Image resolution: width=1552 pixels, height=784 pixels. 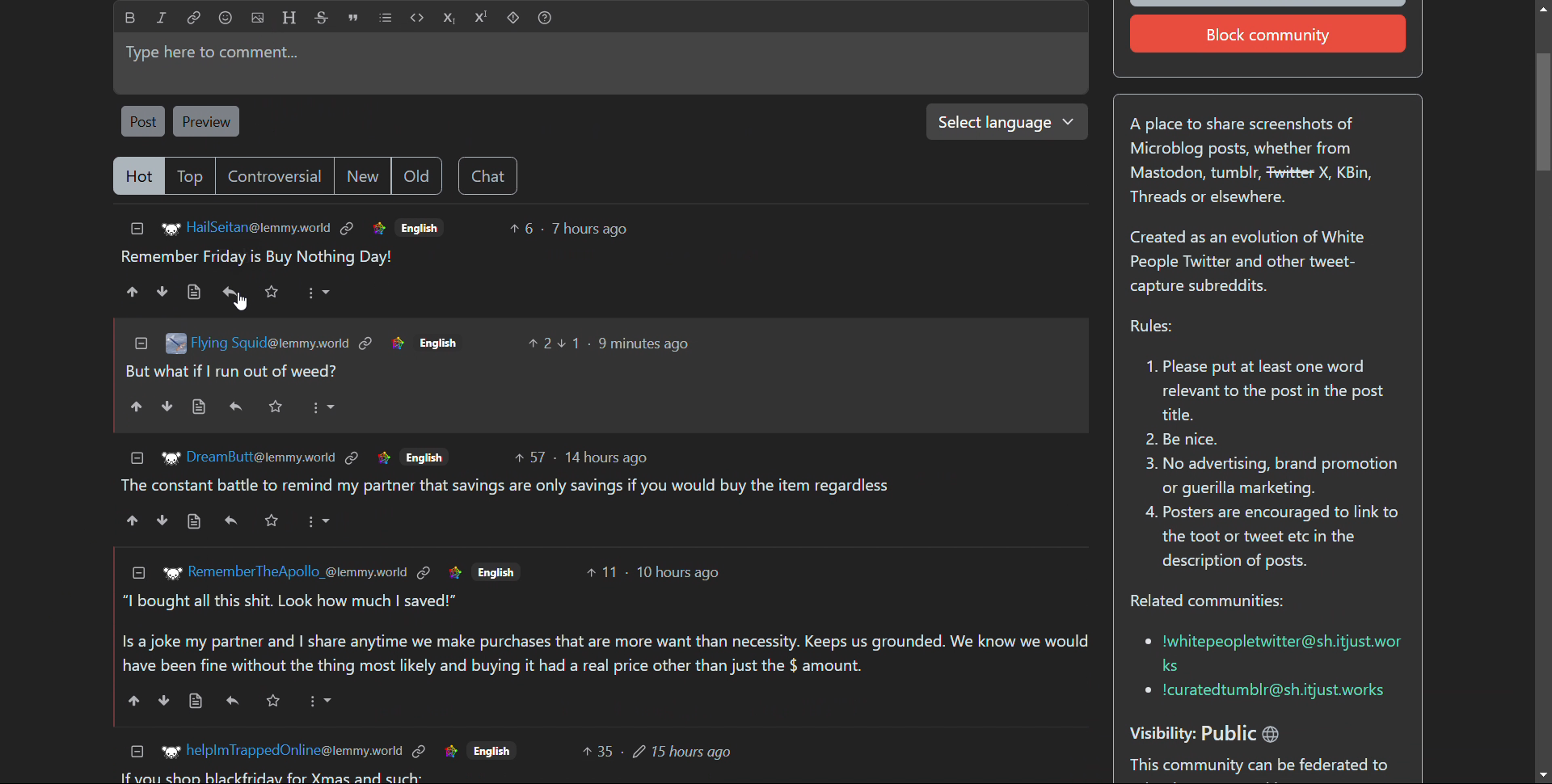 I want to click on time of posting, so click(x=589, y=229).